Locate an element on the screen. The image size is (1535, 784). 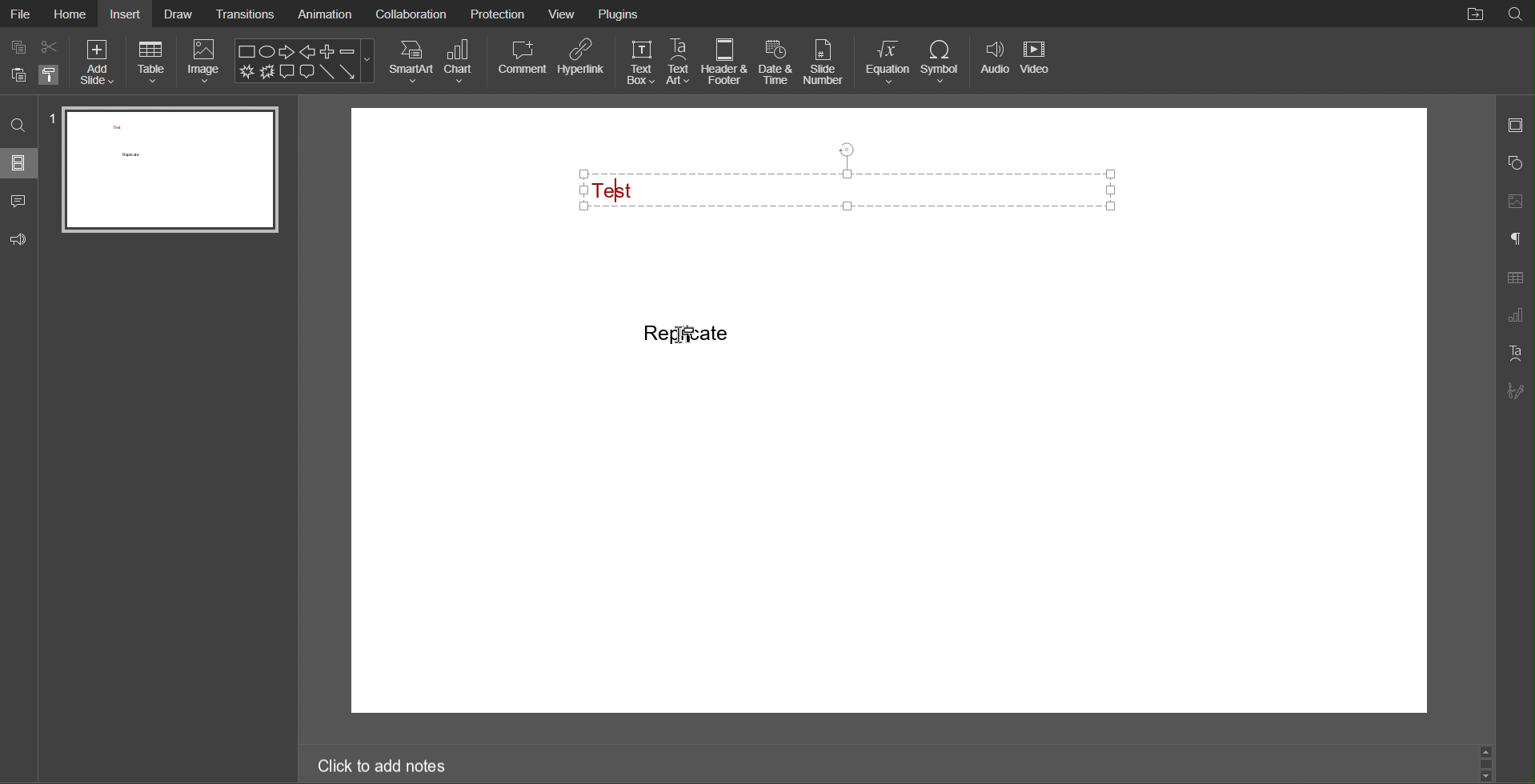
Audio is located at coordinates (994, 62).